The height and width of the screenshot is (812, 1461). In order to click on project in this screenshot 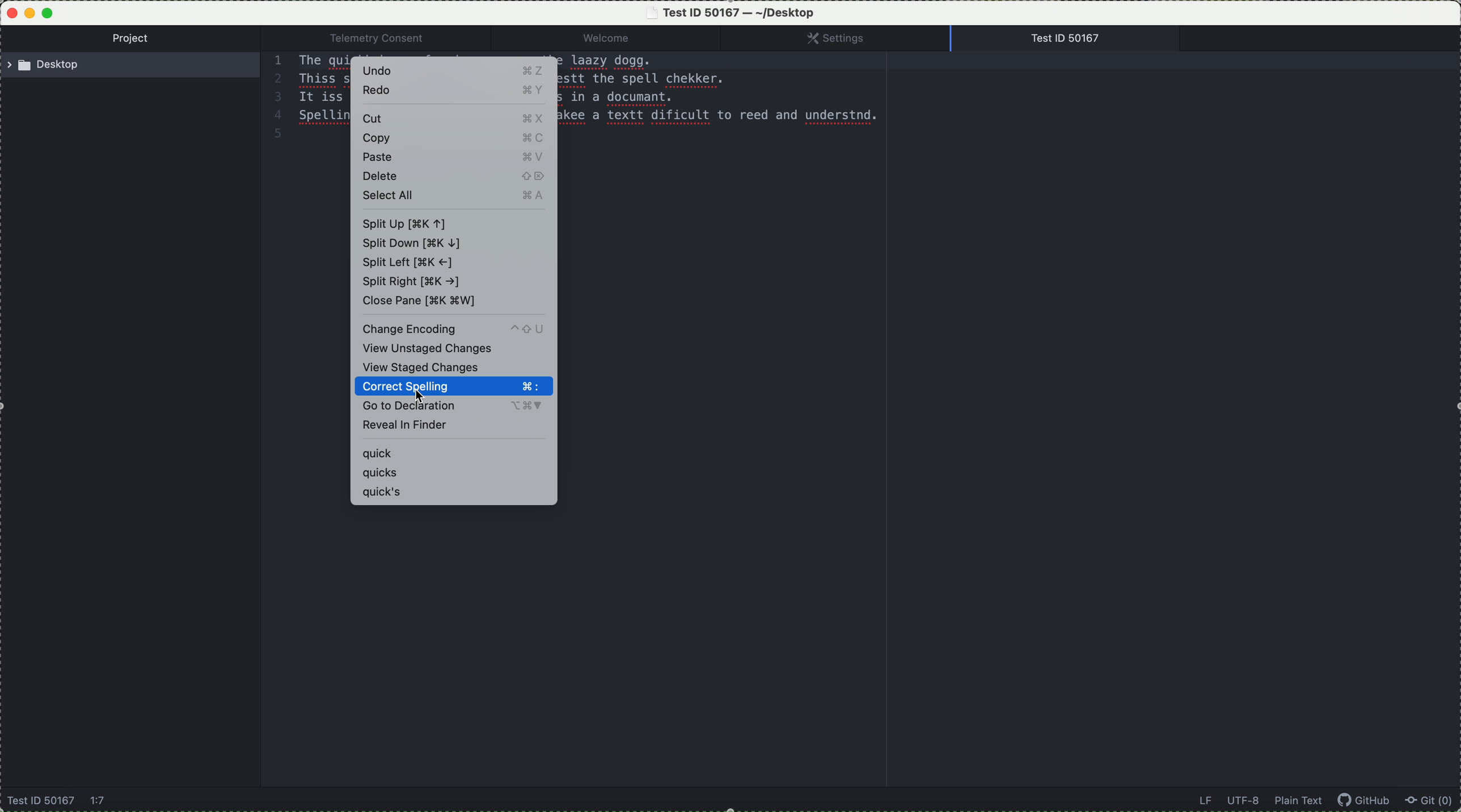, I will do `click(134, 40)`.